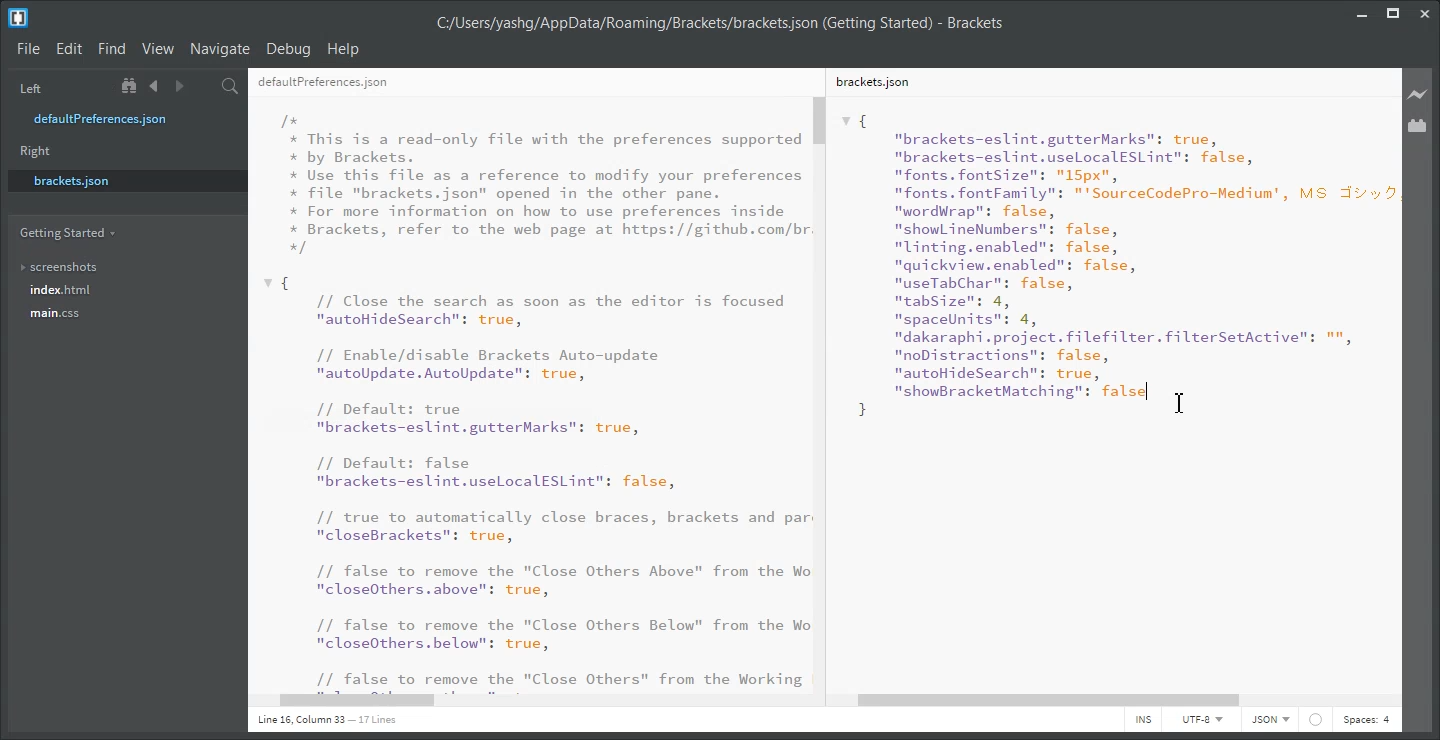 This screenshot has height=740, width=1440. Describe the element at coordinates (66, 233) in the screenshot. I see `Getting Started` at that location.